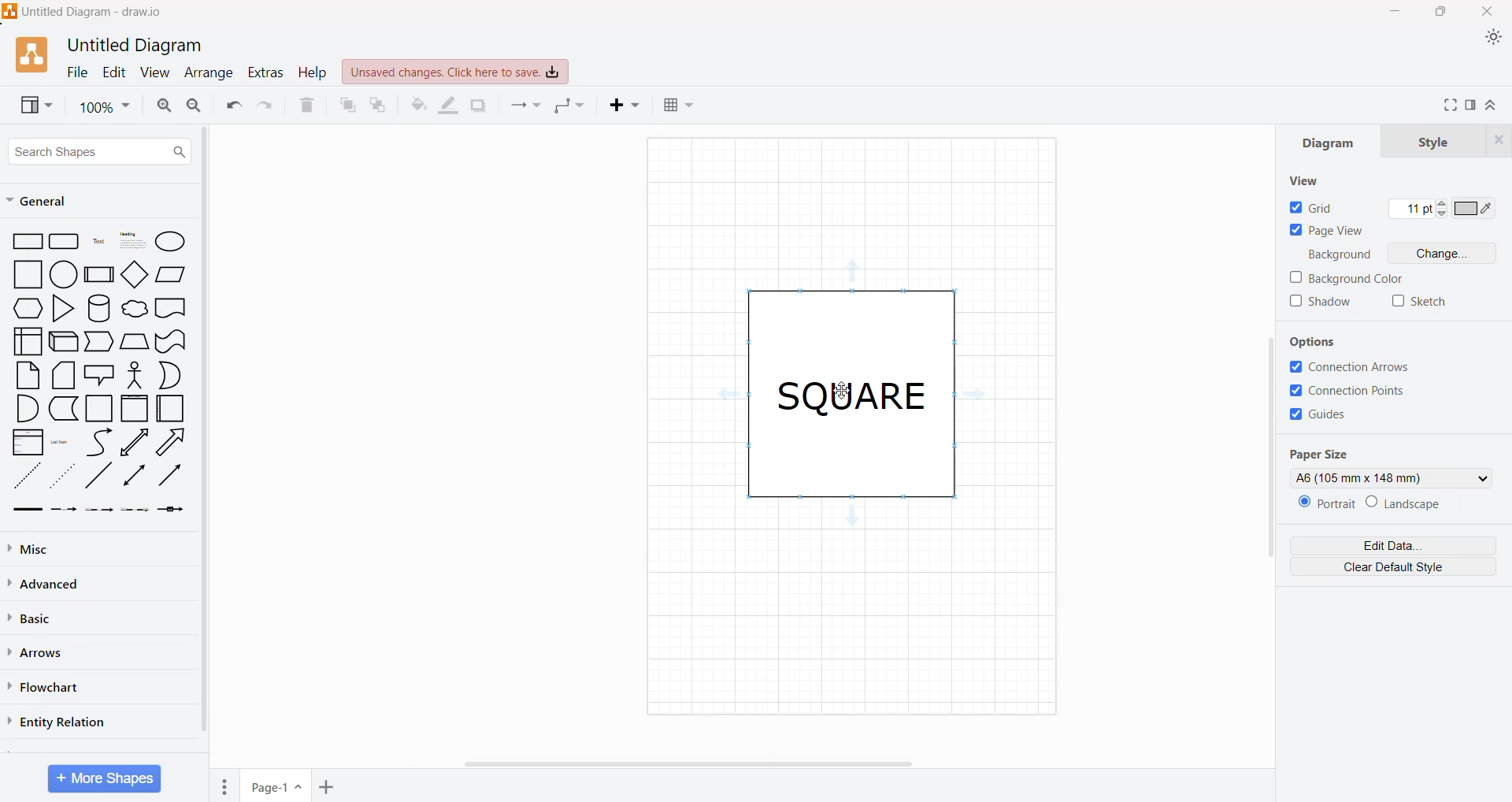 The image size is (1512, 802). What do you see at coordinates (135, 373) in the screenshot?
I see `Stick Figure ` at bounding box center [135, 373].